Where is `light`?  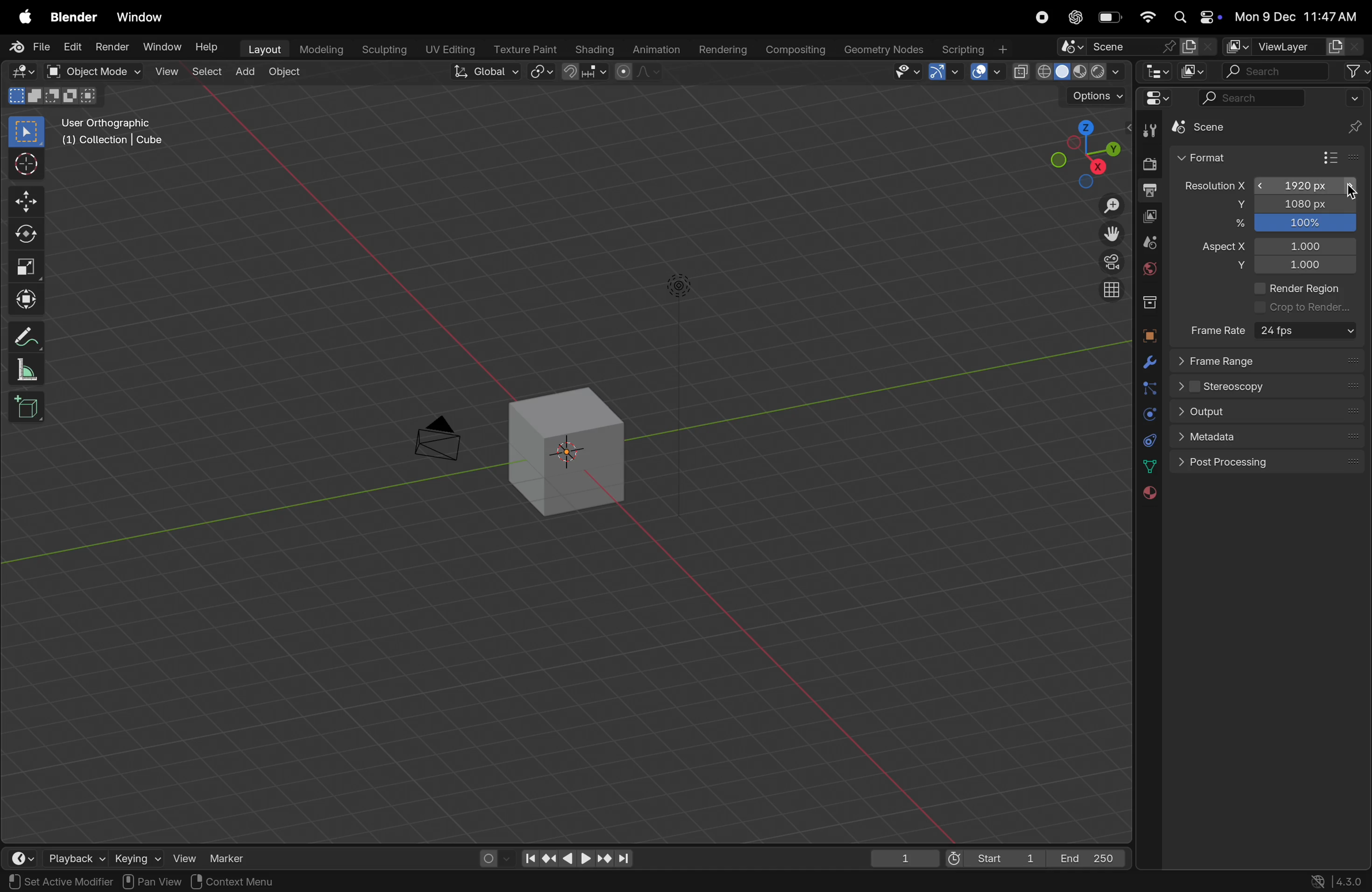 light is located at coordinates (680, 286).